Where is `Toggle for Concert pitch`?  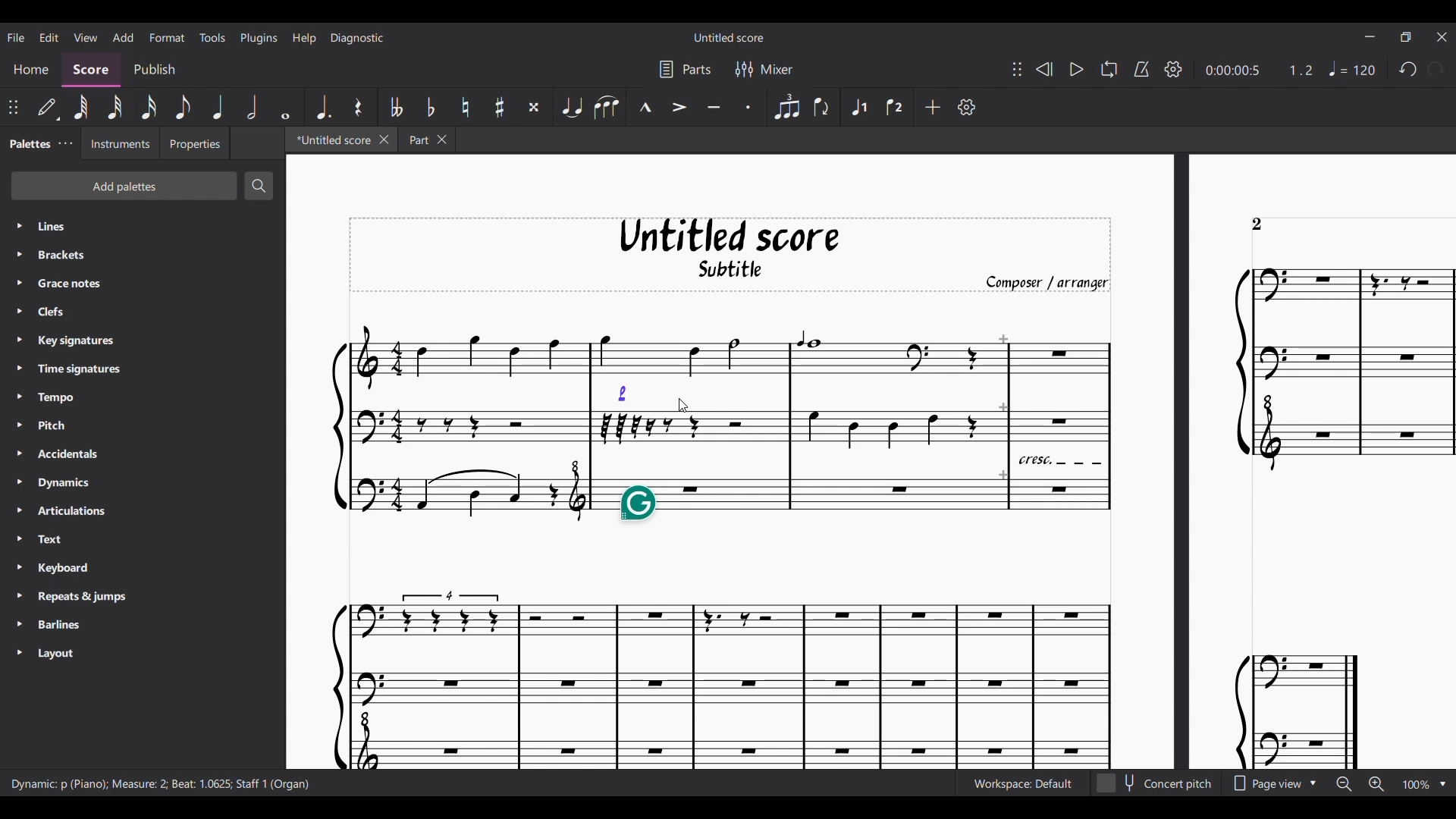 Toggle for Concert pitch is located at coordinates (1156, 783).